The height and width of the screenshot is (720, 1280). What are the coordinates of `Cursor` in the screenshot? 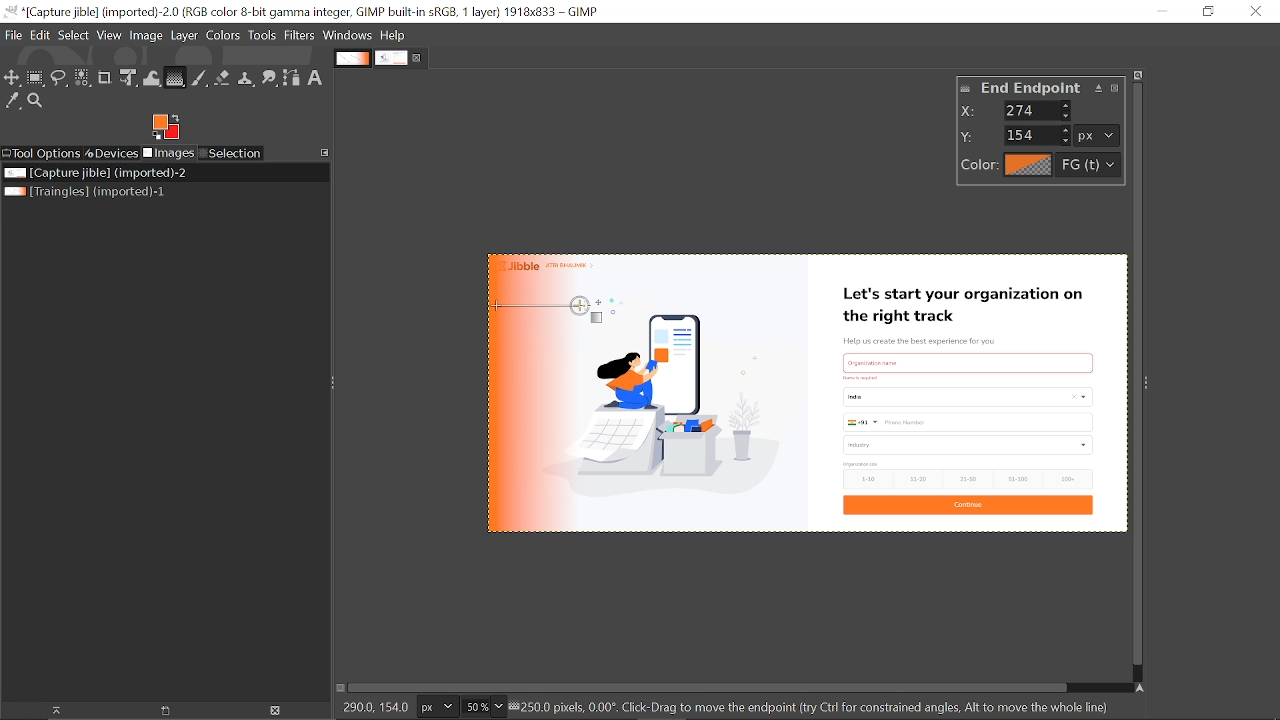 It's located at (589, 316).